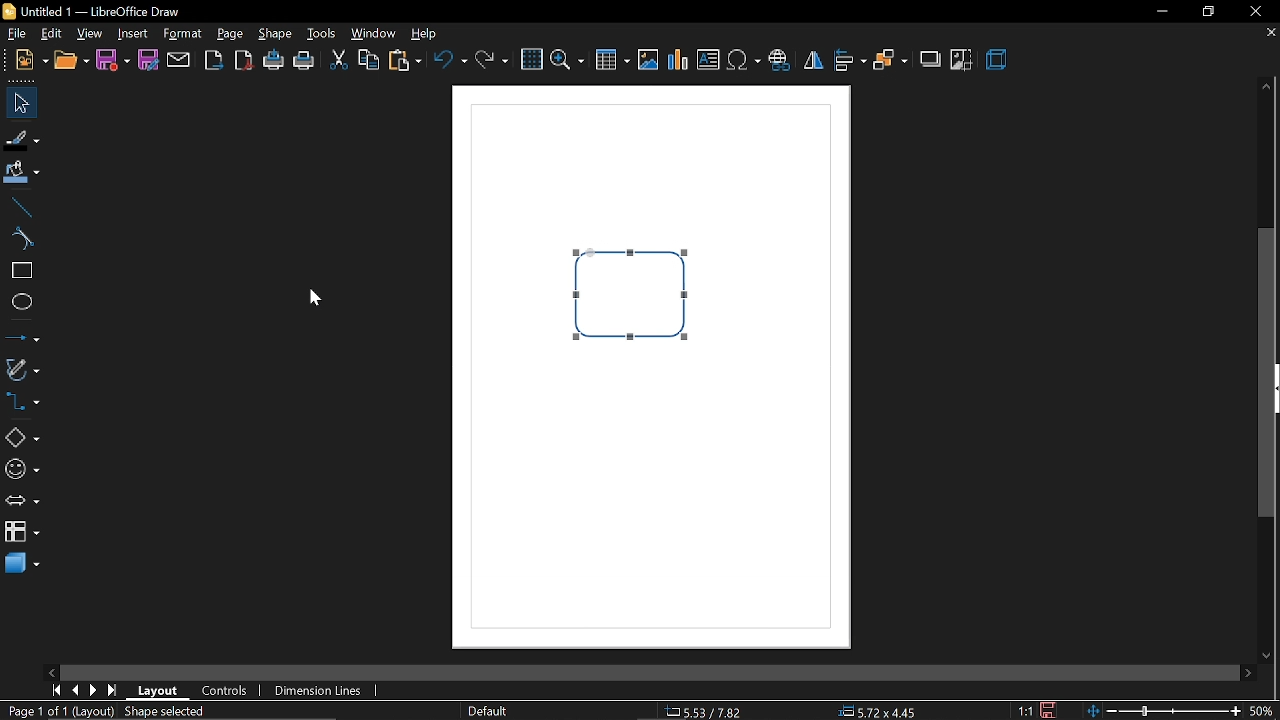 This screenshot has height=720, width=1280. Describe the element at coordinates (710, 60) in the screenshot. I see `insert text` at that location.